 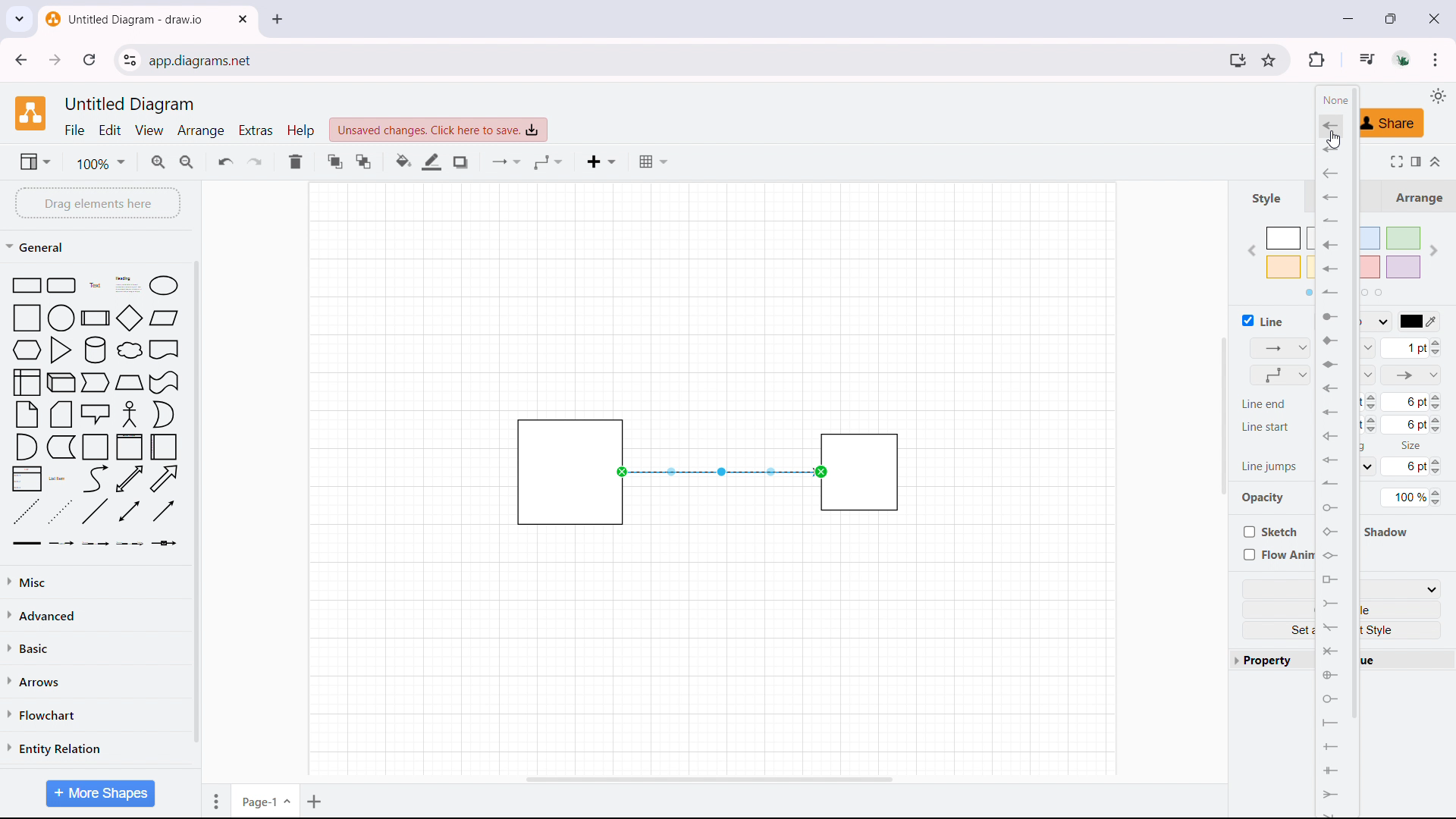 What do you see at coordinates (432, 162) in the screenshot?
I see `line color` at bounding box center [432, 162].